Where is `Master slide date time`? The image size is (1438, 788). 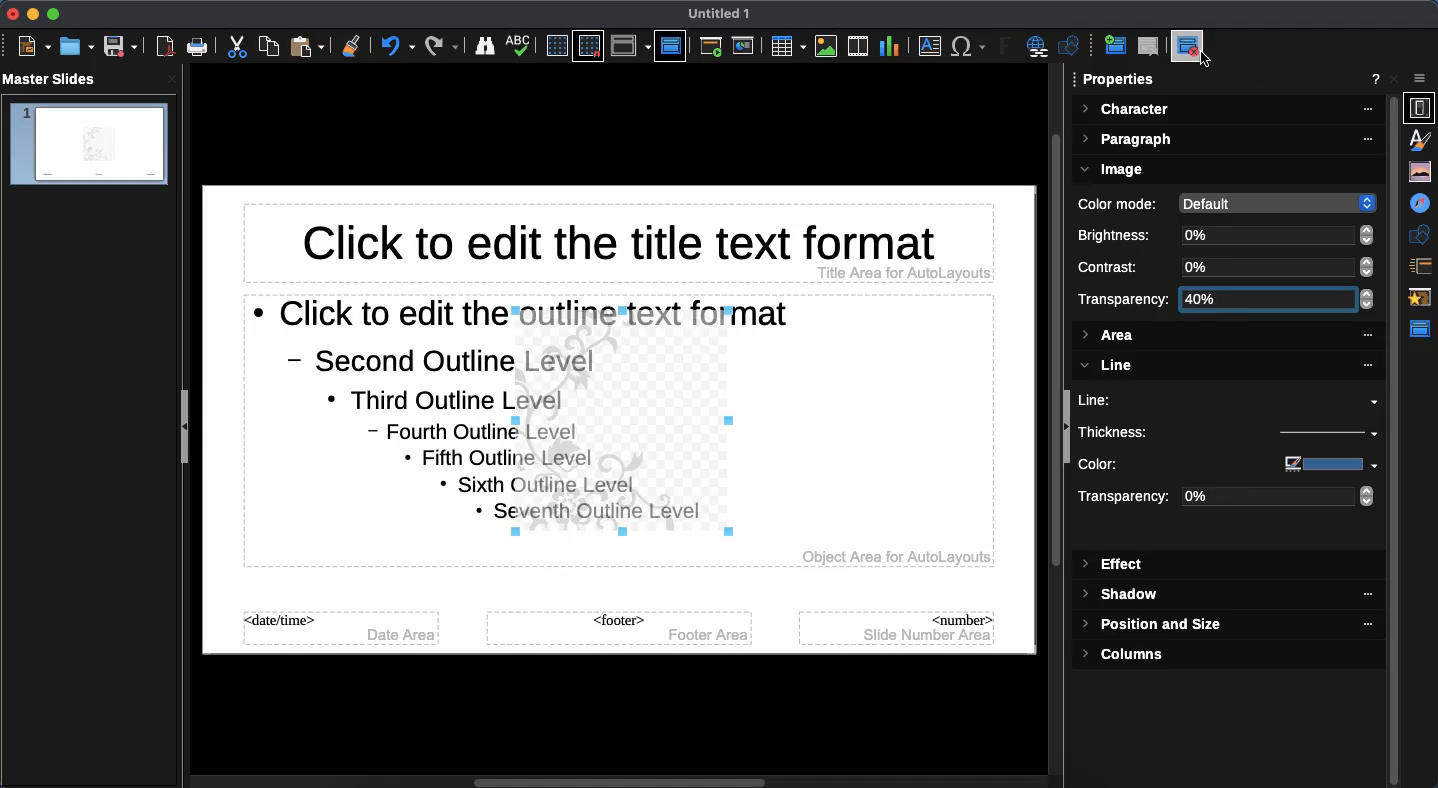 Master slide date time is located at coordinates (342, 632).